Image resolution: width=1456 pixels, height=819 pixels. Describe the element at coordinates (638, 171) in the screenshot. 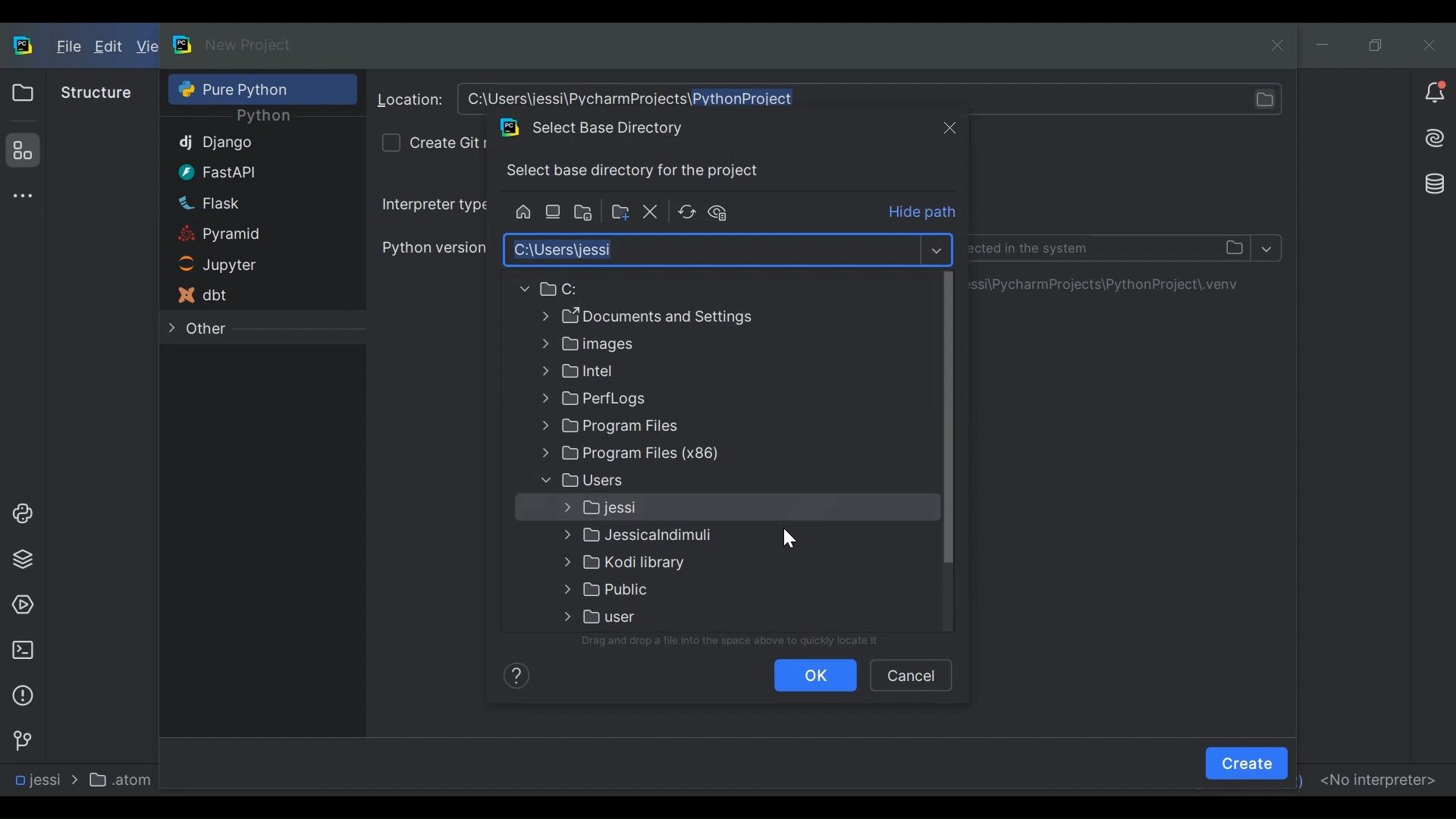

I see `Select base directory for the project` at that location.